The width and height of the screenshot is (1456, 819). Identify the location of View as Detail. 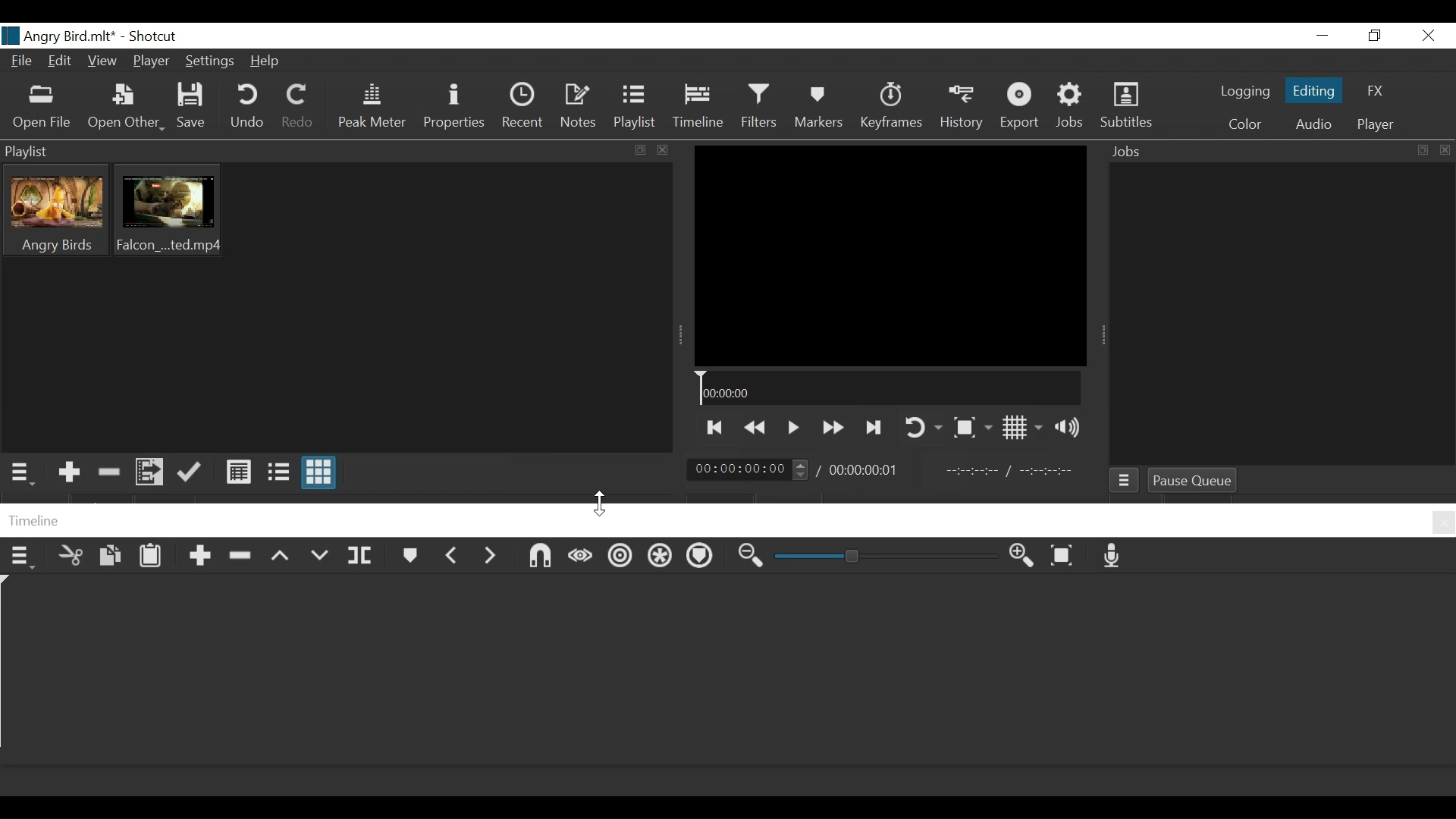
(236, 472).